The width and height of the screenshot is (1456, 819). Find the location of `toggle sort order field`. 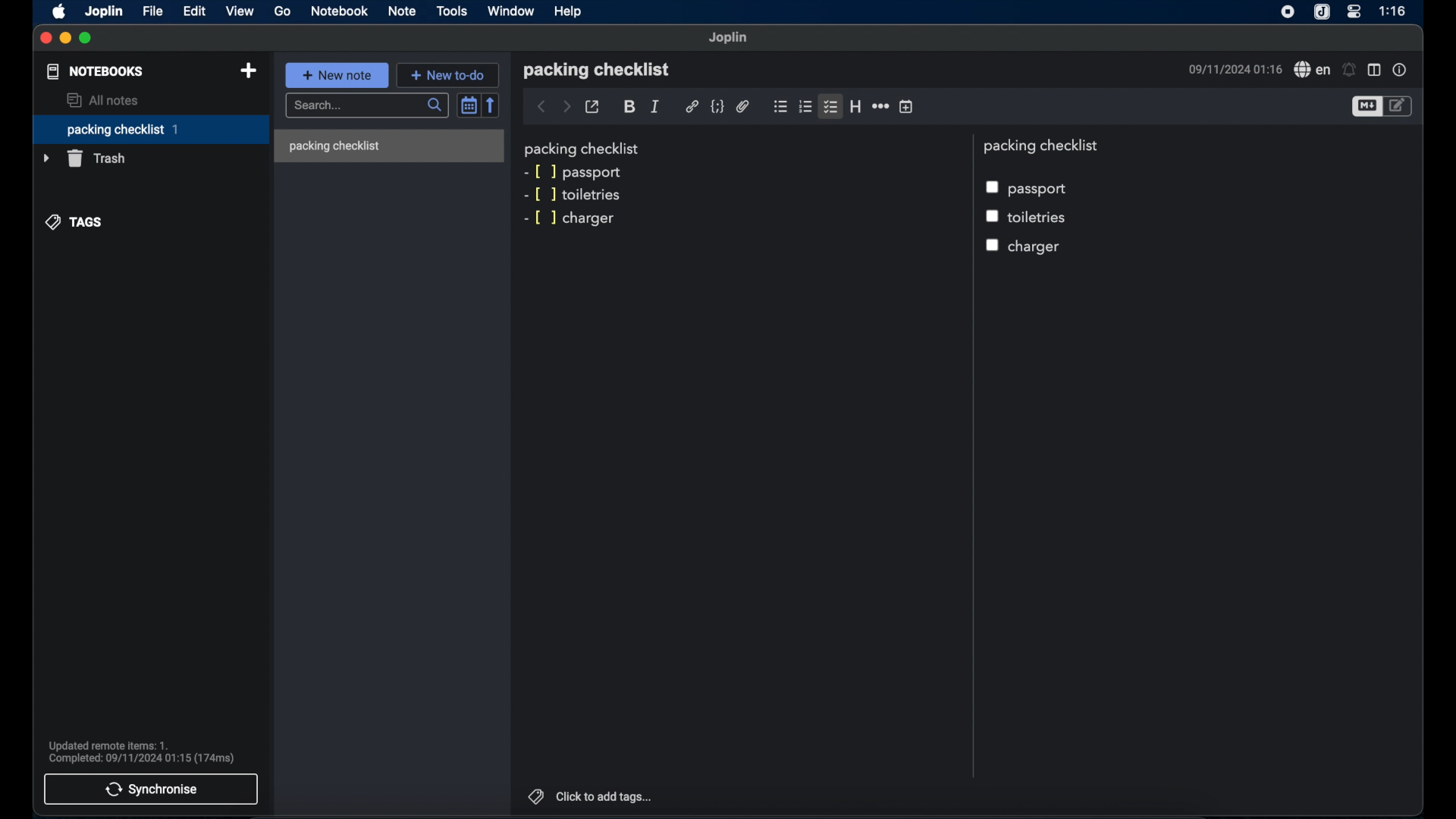

toggle sort order field is located at coordinates (468, 105).